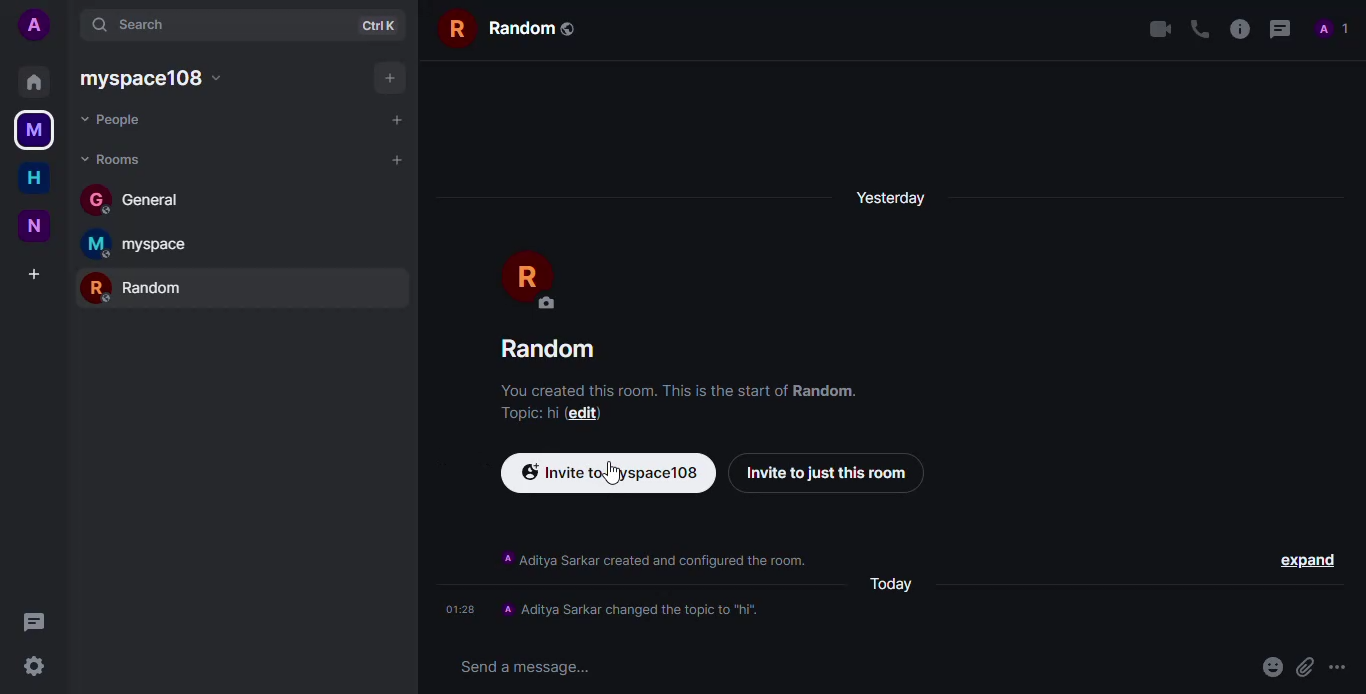 The height and width of the screenshot is (694, 1366). Describe the element at coordinates (33, 224) in the screenshot. I see `new` at that location.